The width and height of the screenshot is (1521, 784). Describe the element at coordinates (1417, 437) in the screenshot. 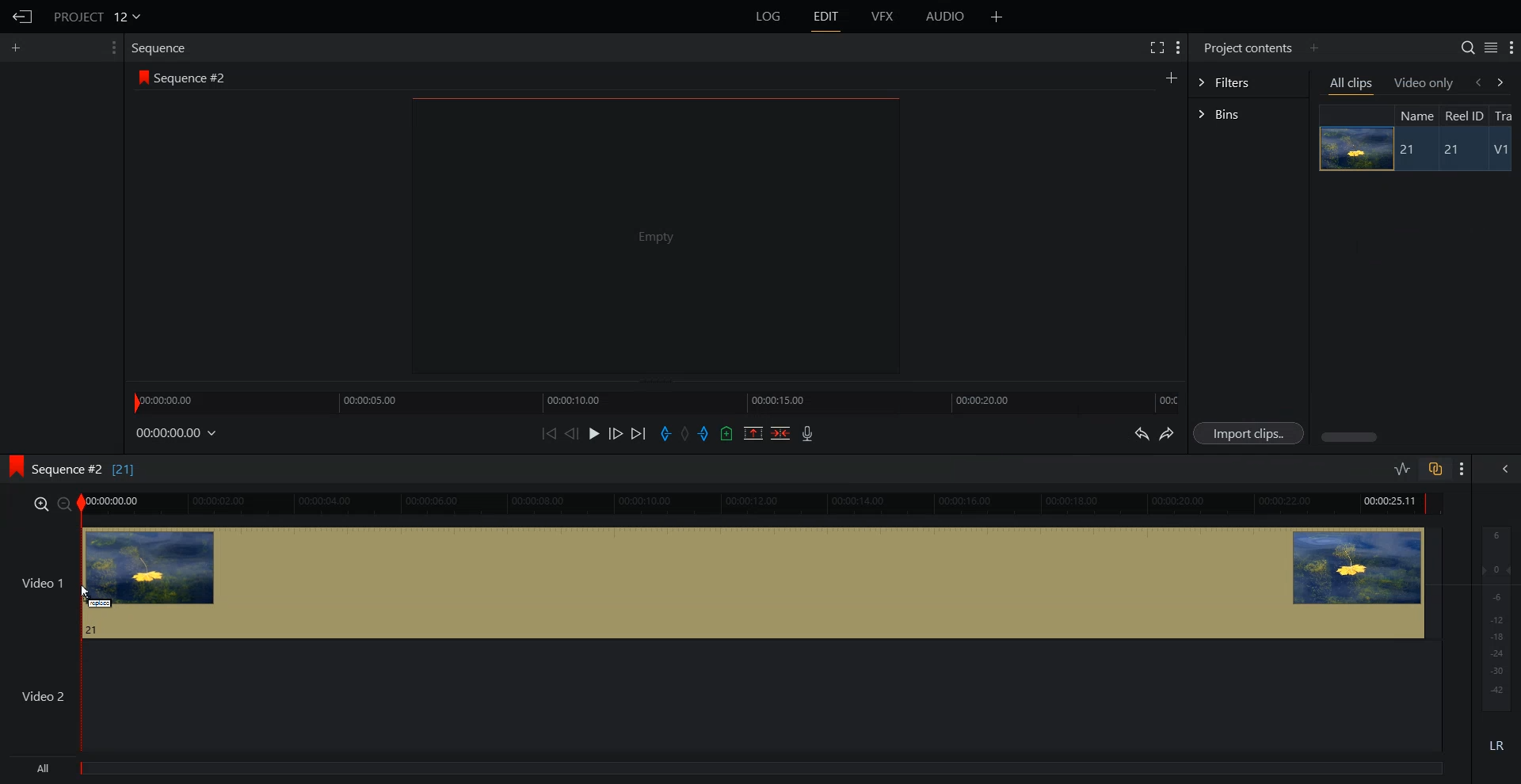

I see `Horizontal Scroll bar` at that location.